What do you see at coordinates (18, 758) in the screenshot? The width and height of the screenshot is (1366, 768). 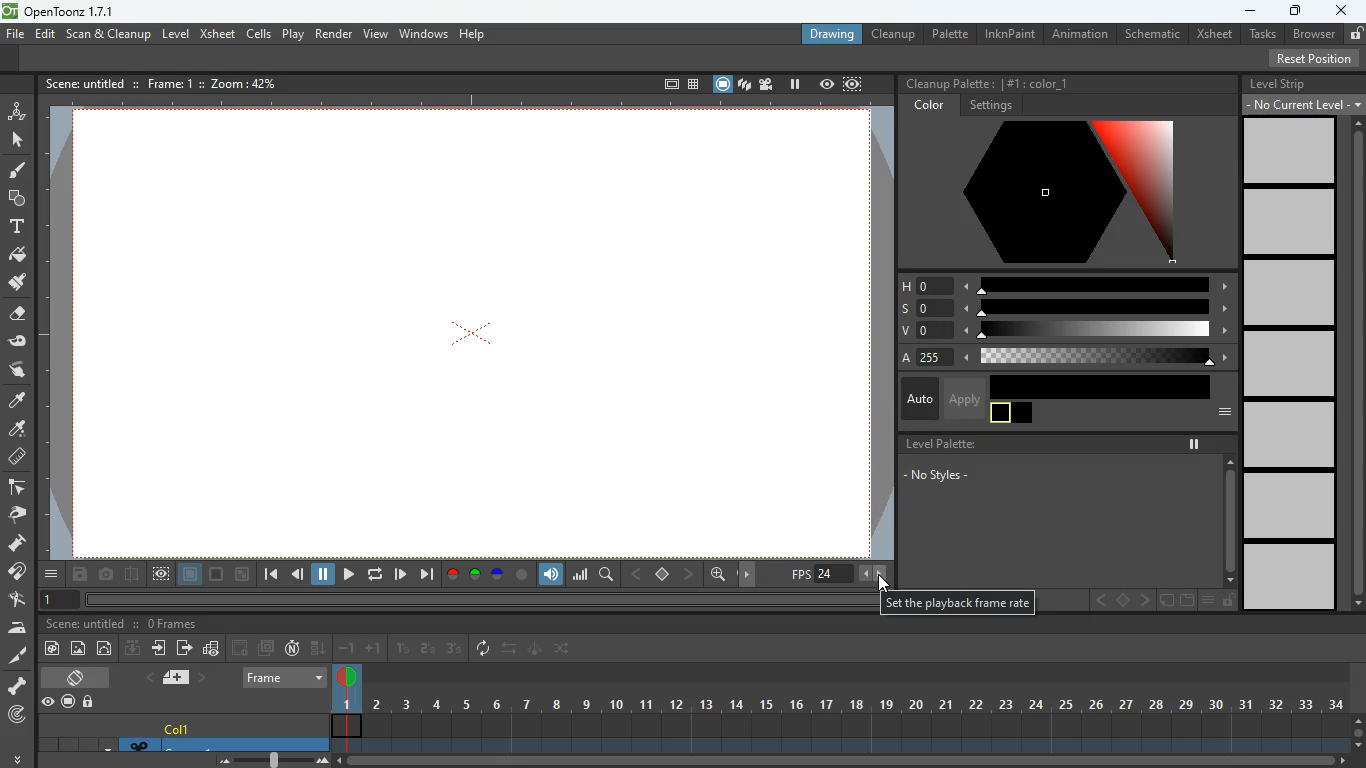 I see `more` at bounding box center [18, 758].